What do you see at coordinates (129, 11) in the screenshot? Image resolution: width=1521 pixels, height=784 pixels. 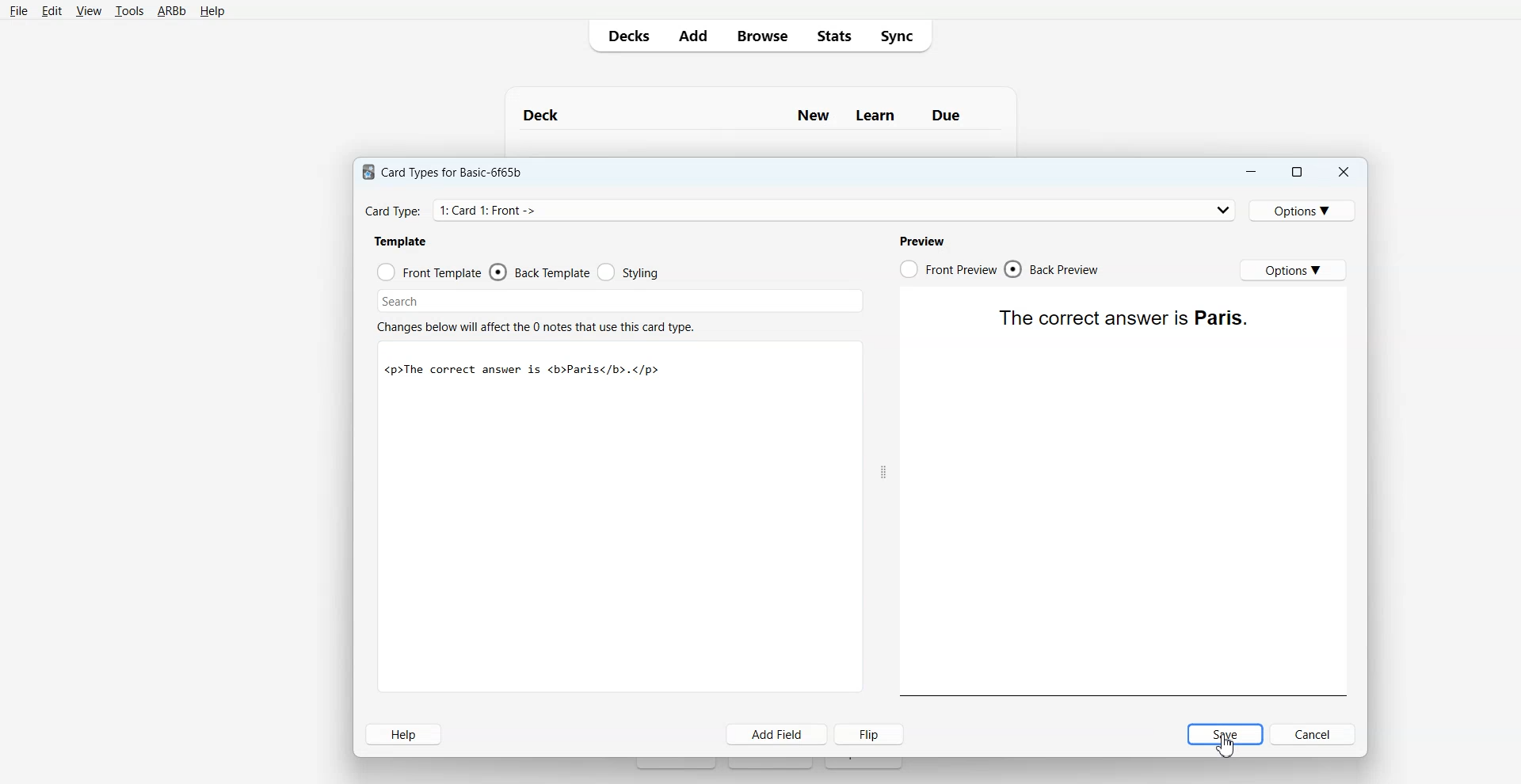 I see `Tools` at bounding box center [129, 11].